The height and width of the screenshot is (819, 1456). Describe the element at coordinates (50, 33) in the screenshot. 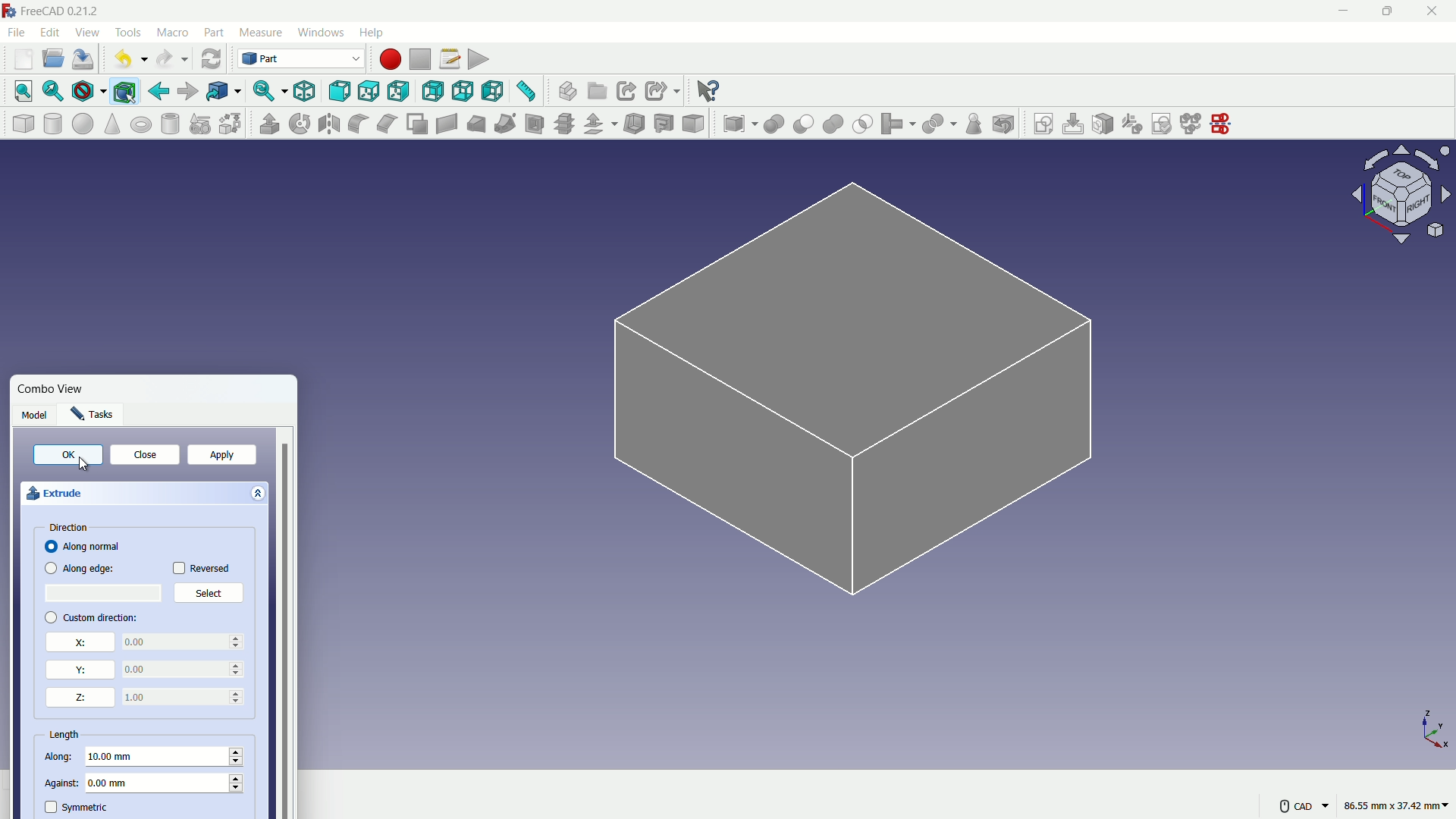

I see `edit` at that location.